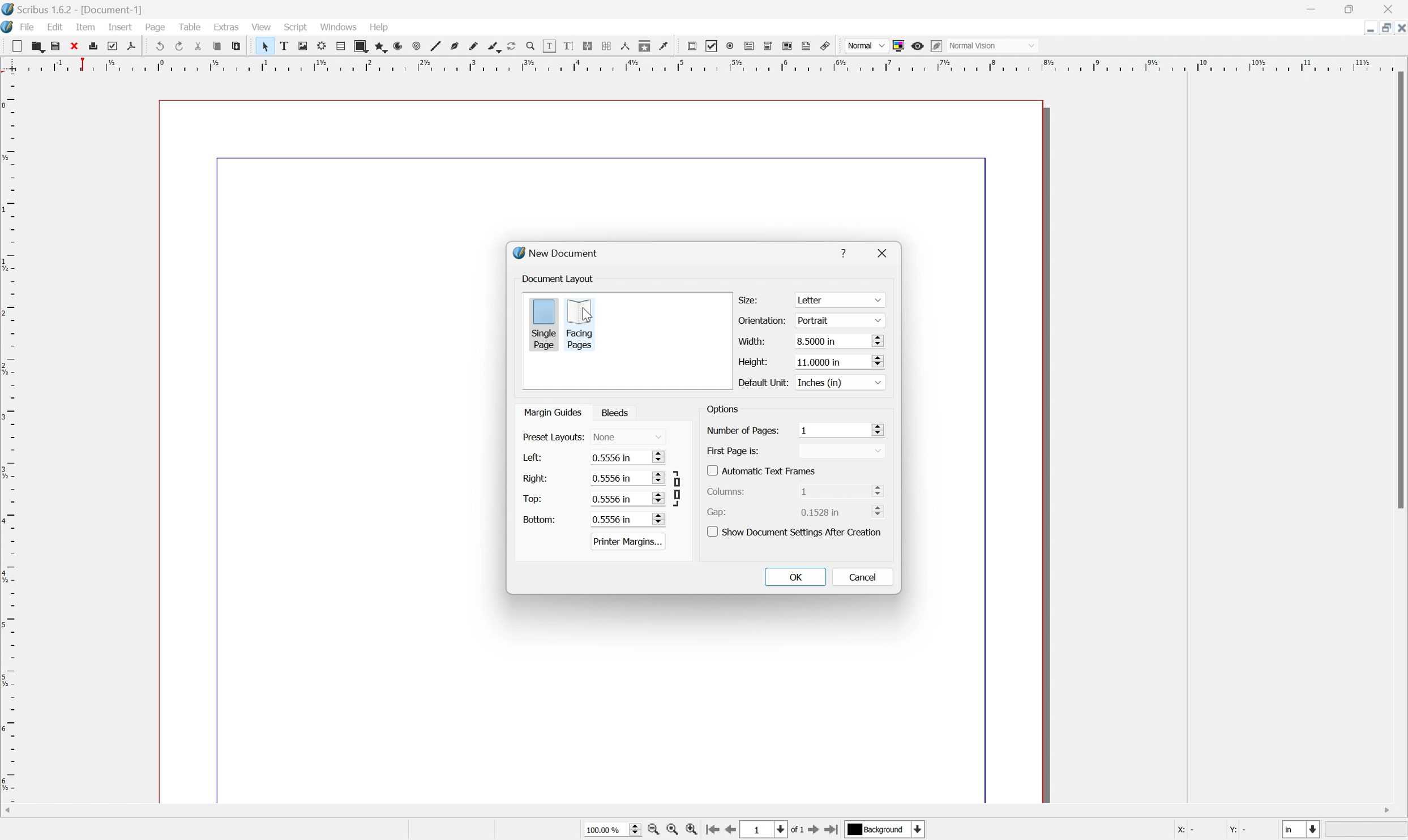  What do you see at coordinates (16, 46) in the screenshot?
I see `New` at bounding box center [16, 46].